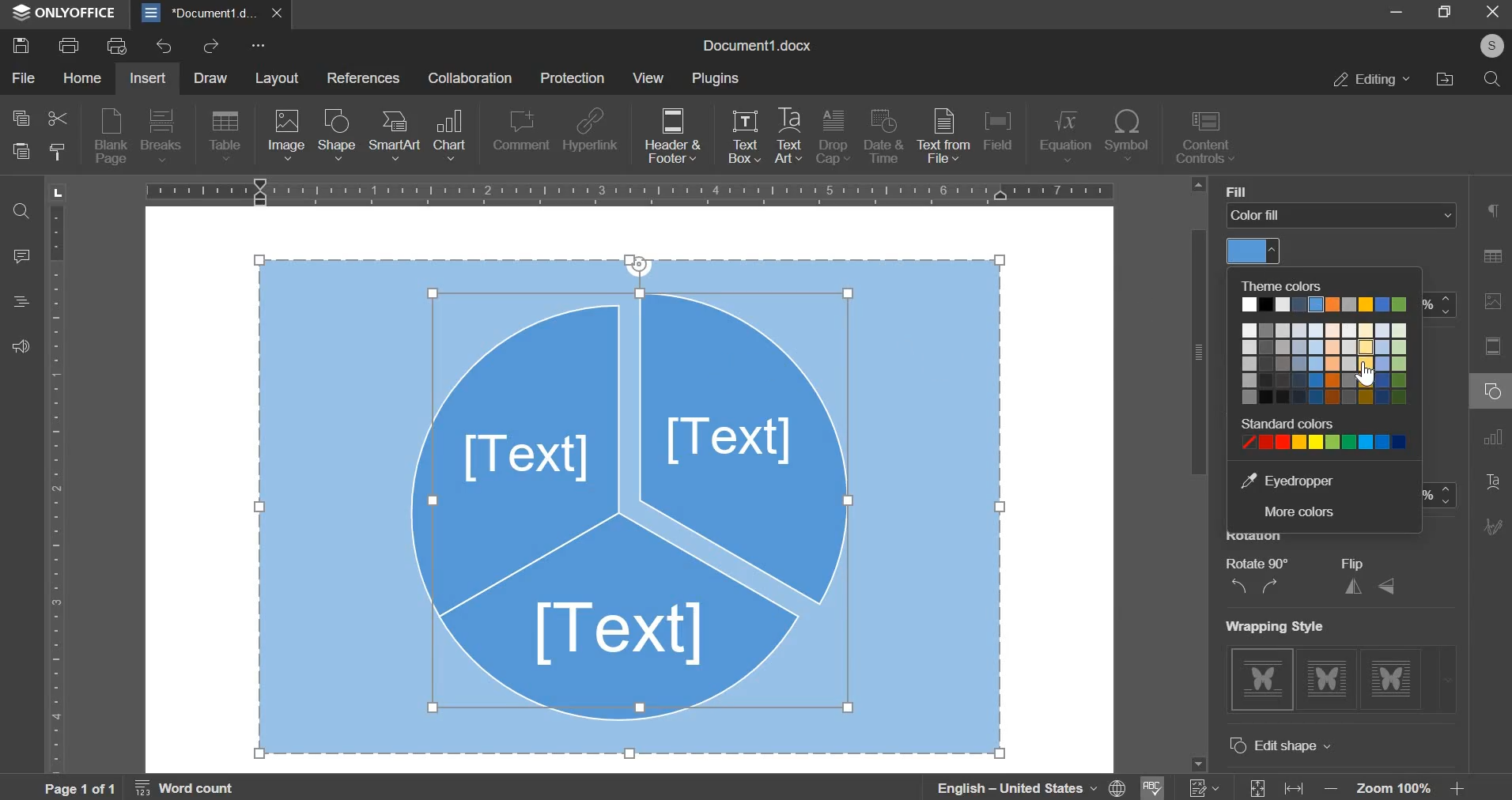  What do you see at coordinates (1350, 681) in the screenshot?
I see `wrapping style` at bounding box center [1350, 681].